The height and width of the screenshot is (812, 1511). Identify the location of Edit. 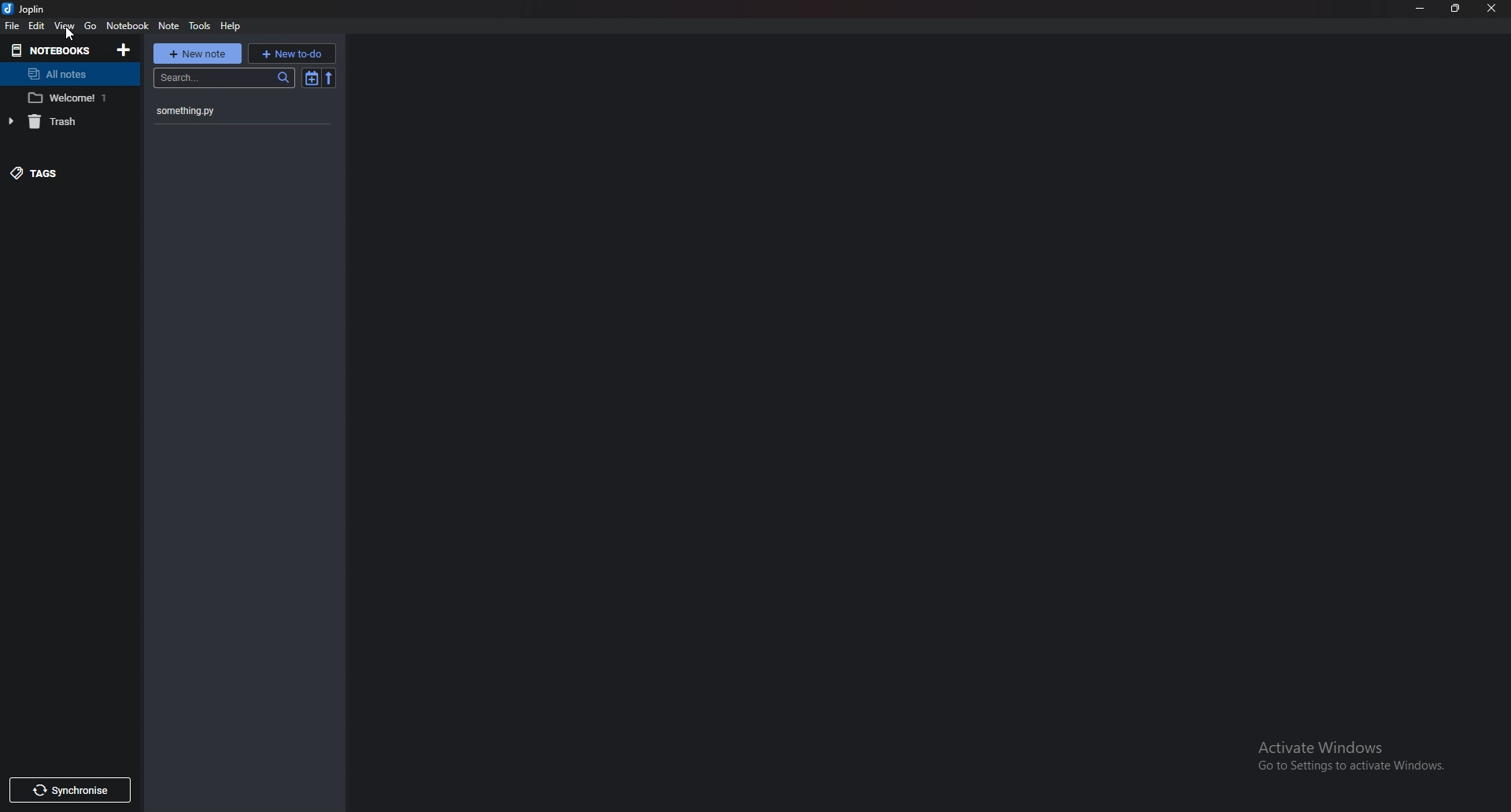
(37, 26).